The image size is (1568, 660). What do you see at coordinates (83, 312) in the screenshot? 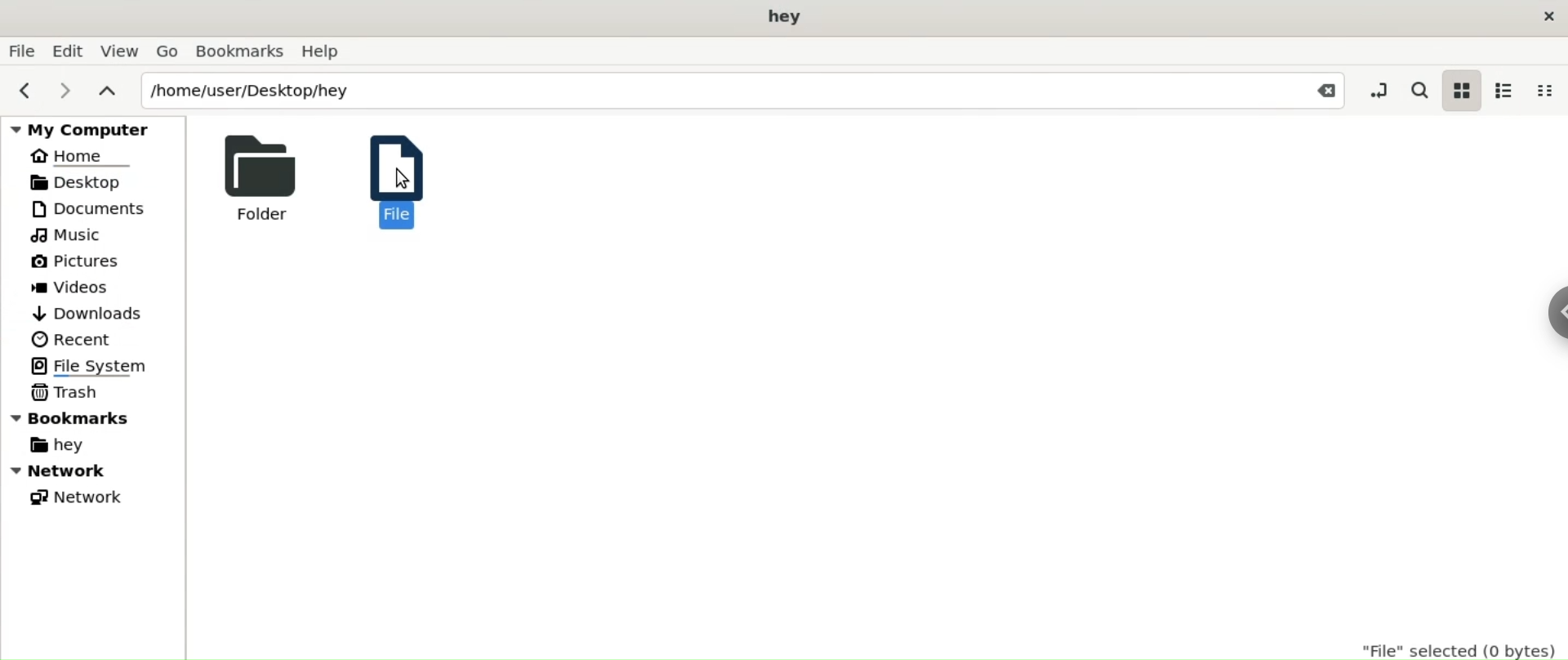
I see `Downloads` at bounding box center [83, 312].